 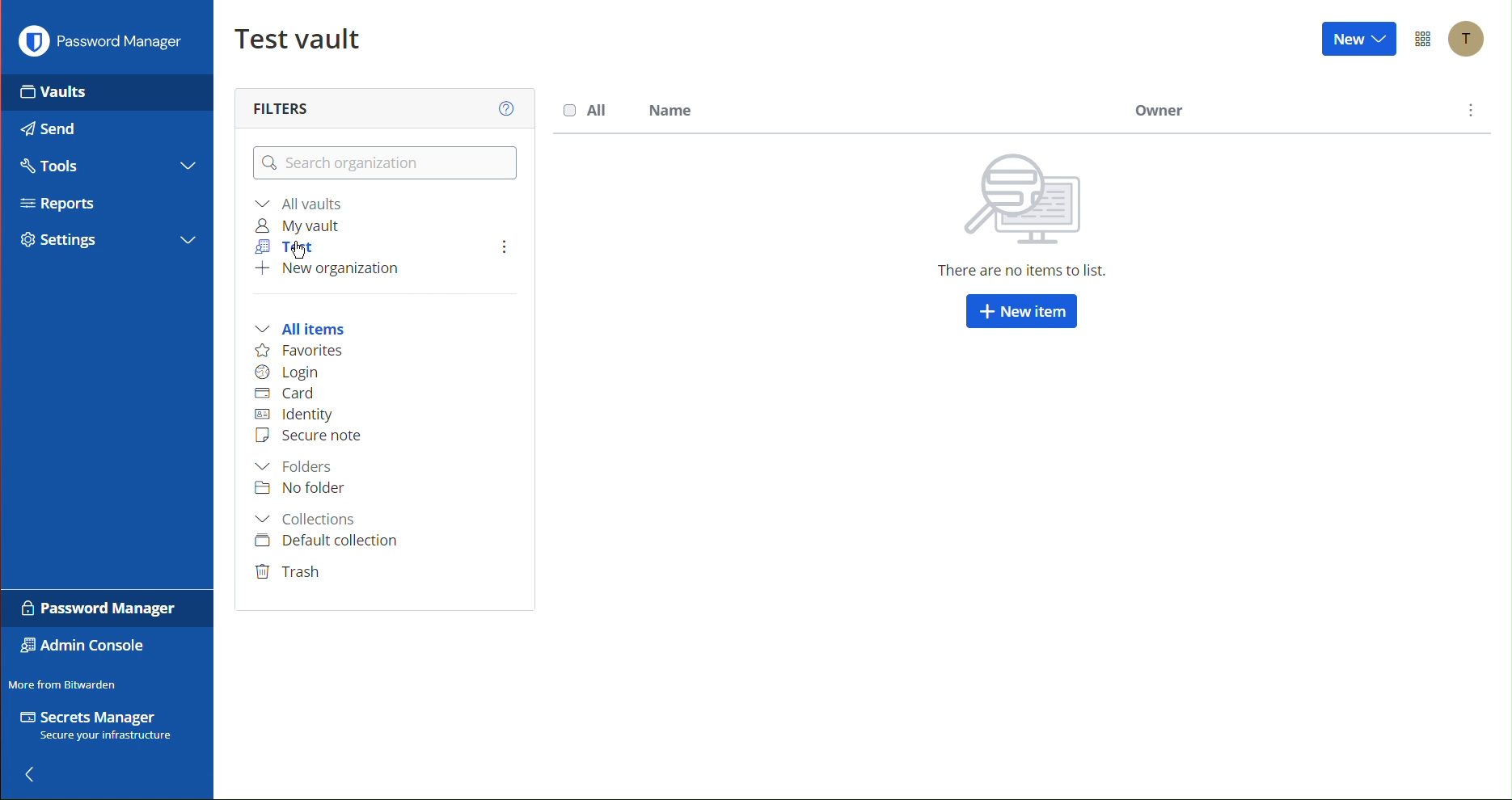 What do you see at coordinates (37, 770) in the screenshot?
I see `Back` at bounding box center [37, 770].